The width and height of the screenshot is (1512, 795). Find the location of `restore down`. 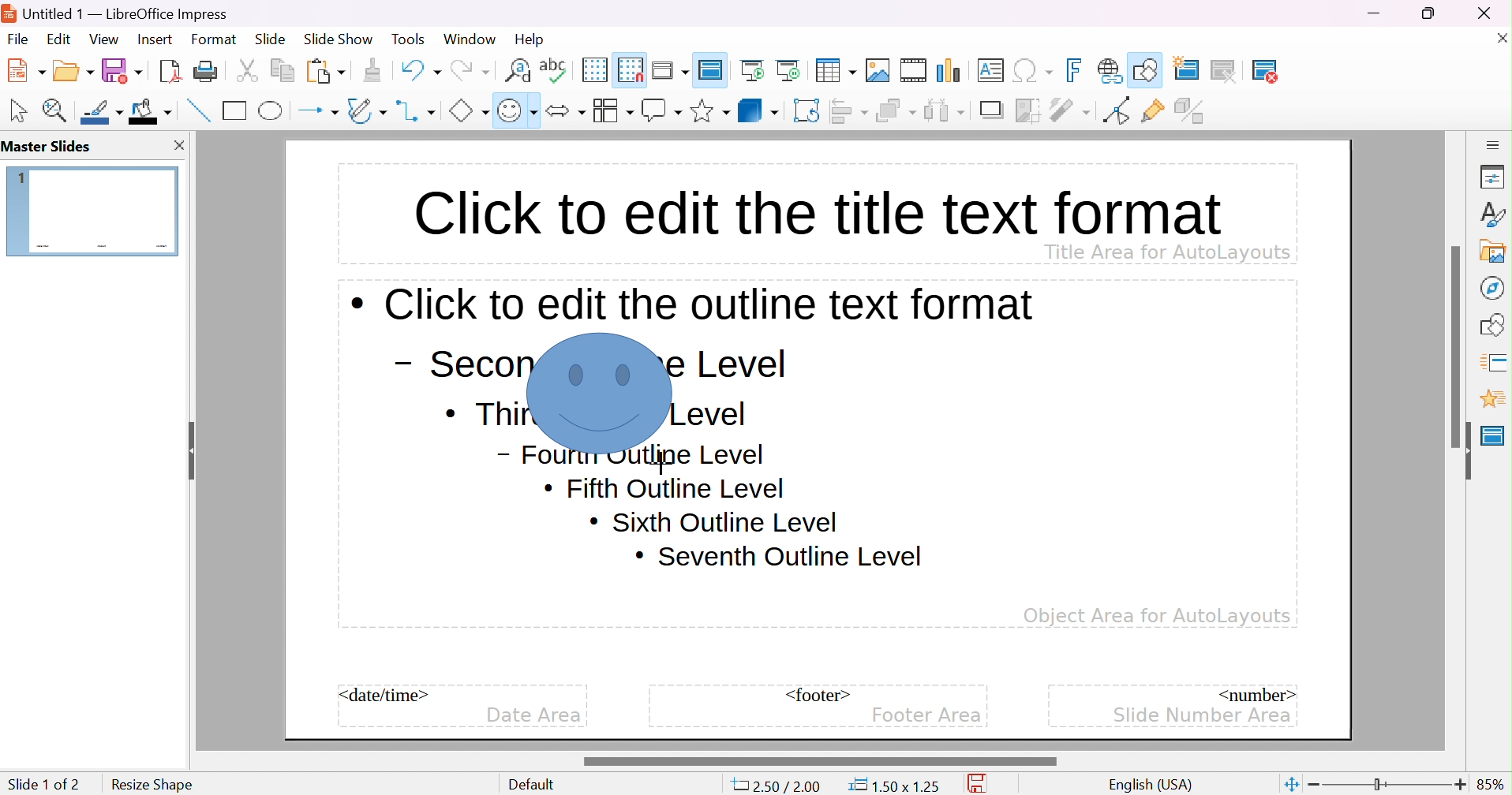

restore down is located at coordinates (1429, 13).